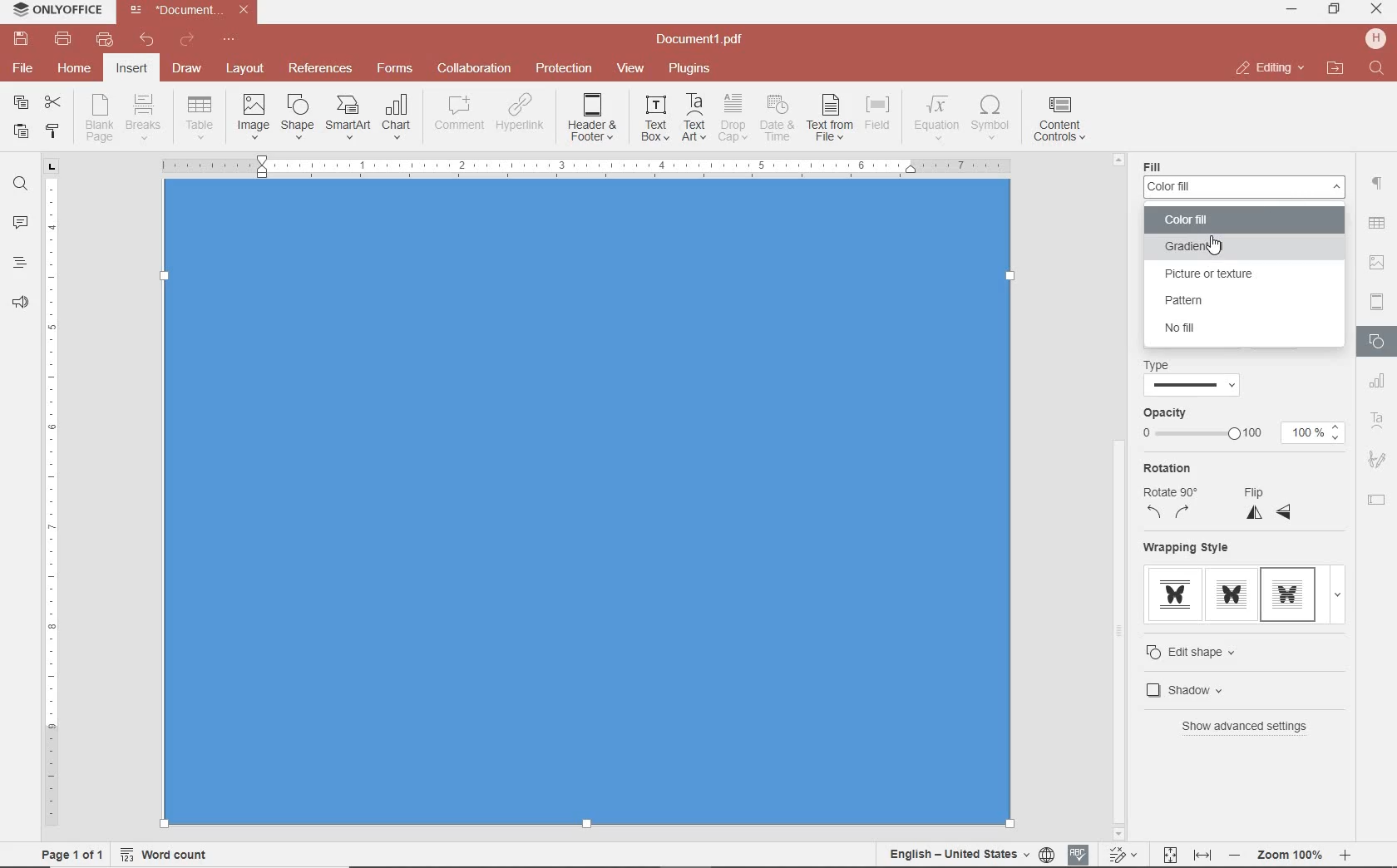 This screenshot has width=1397, height=868. Describe the element at coordinates (1224, 331) in the screenshot. I see `NO FILL` at that location.